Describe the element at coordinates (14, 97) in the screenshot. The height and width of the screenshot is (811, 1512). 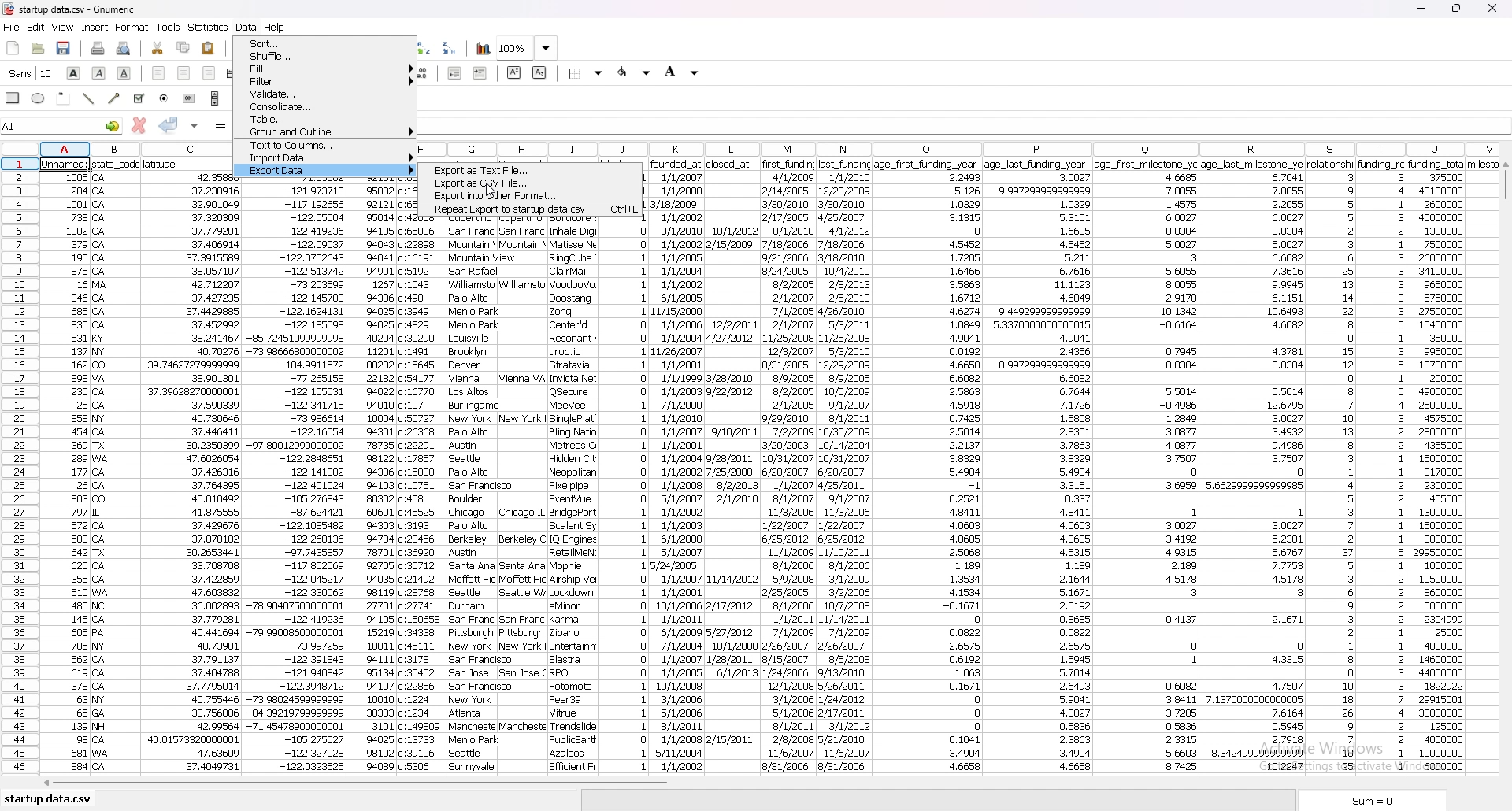
I see `rectangle` at that location.